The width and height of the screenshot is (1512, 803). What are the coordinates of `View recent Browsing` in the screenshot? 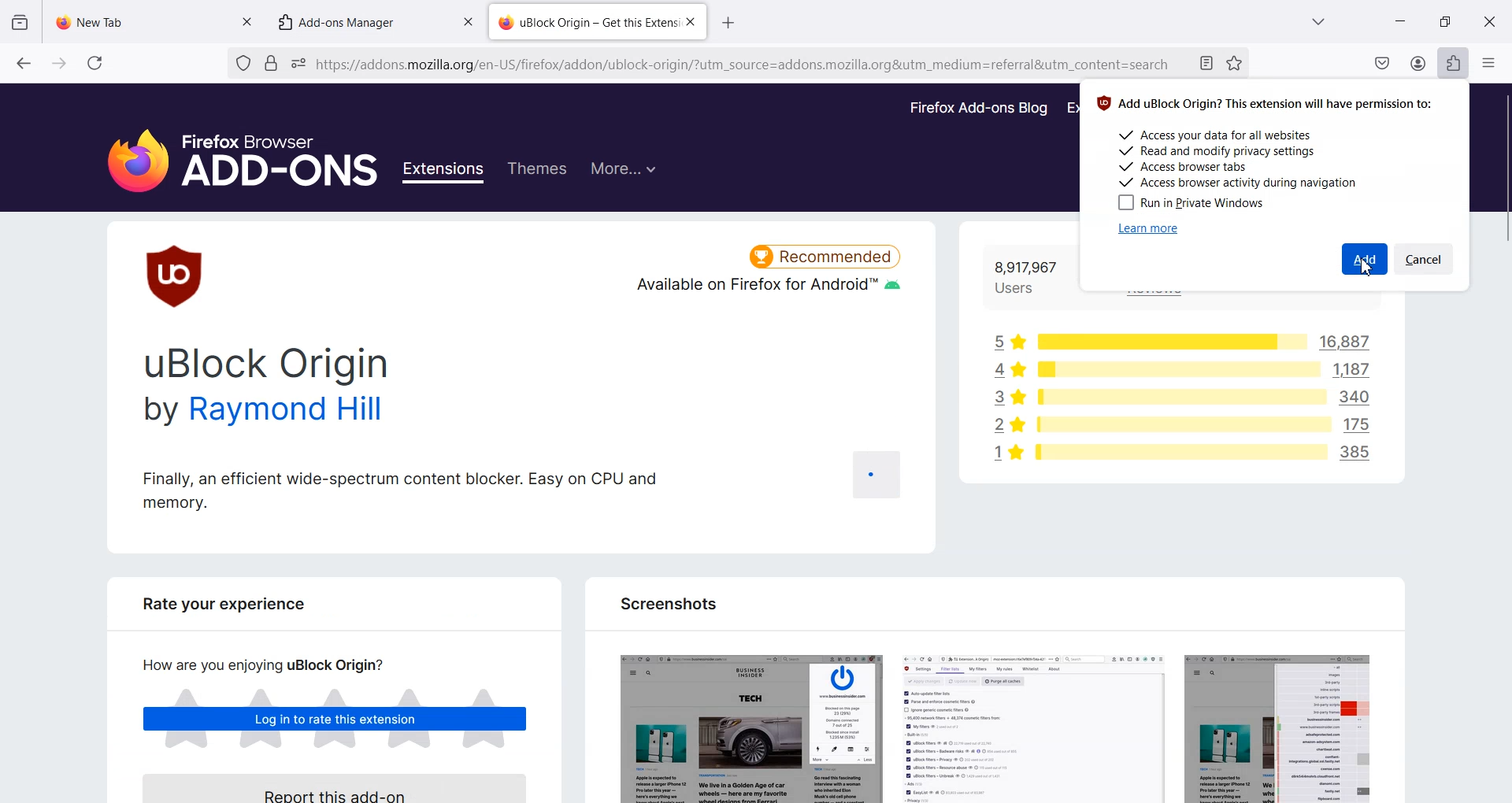 It's located at (20, 23).